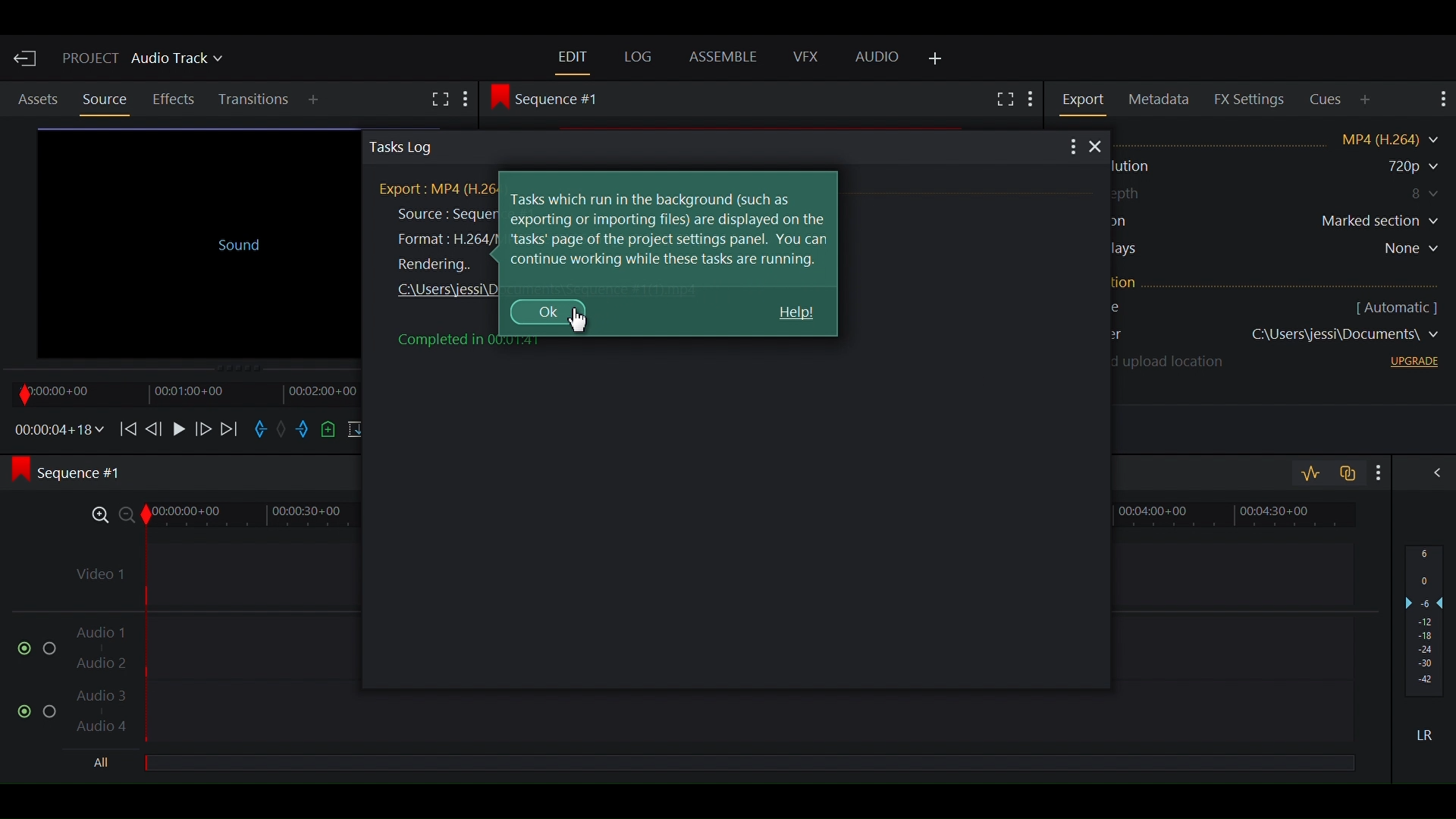 Image resolution: width=1456 pixels, height=819 pixels. What do you see at coordinates (127, 428) in the screenshot?
I see `Move Backward` at bounding box center [127, 428].